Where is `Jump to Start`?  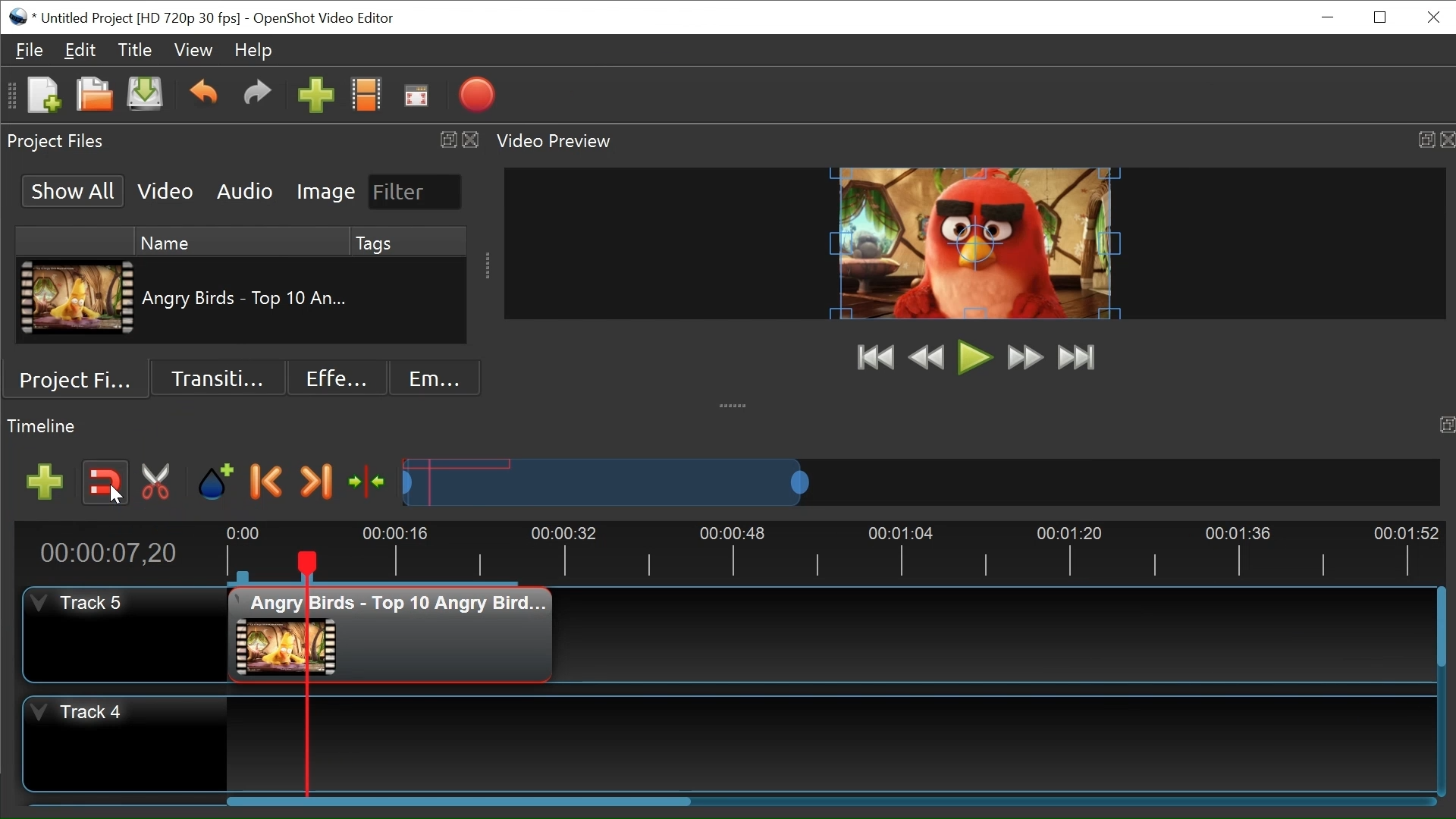
Jump to Start is located at coordinates (874, 357).